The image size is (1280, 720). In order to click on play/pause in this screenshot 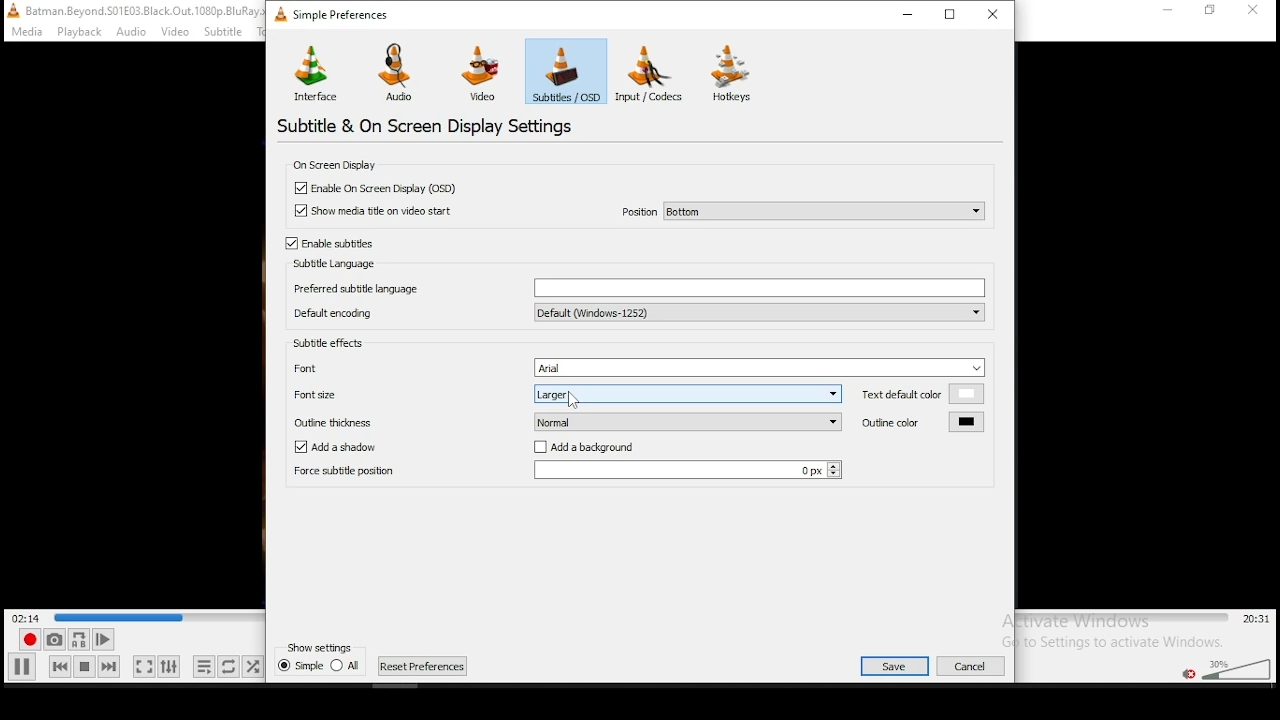, I will do `click(23, 666)`.